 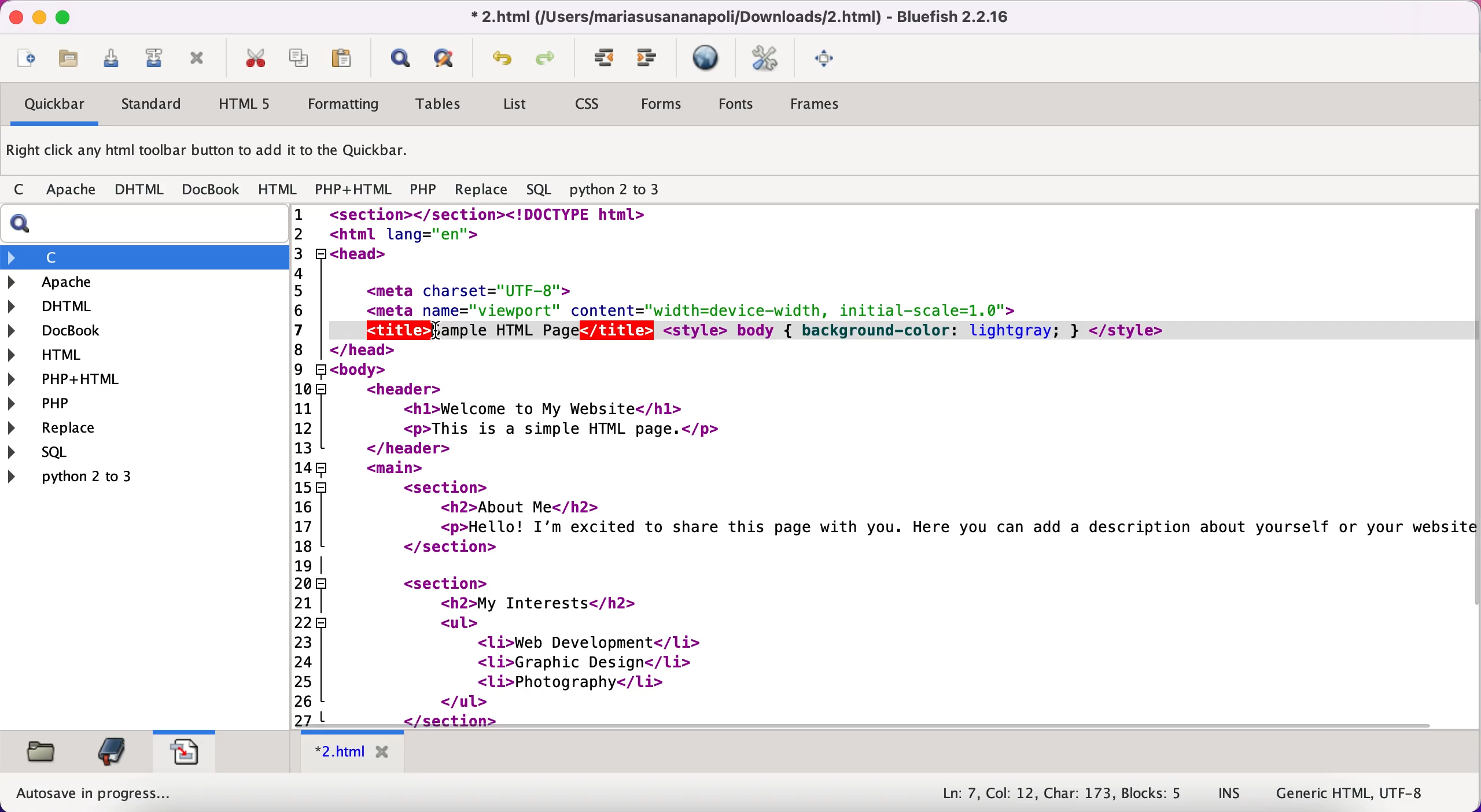 I want to click on replace, so click(x=80, y=429).